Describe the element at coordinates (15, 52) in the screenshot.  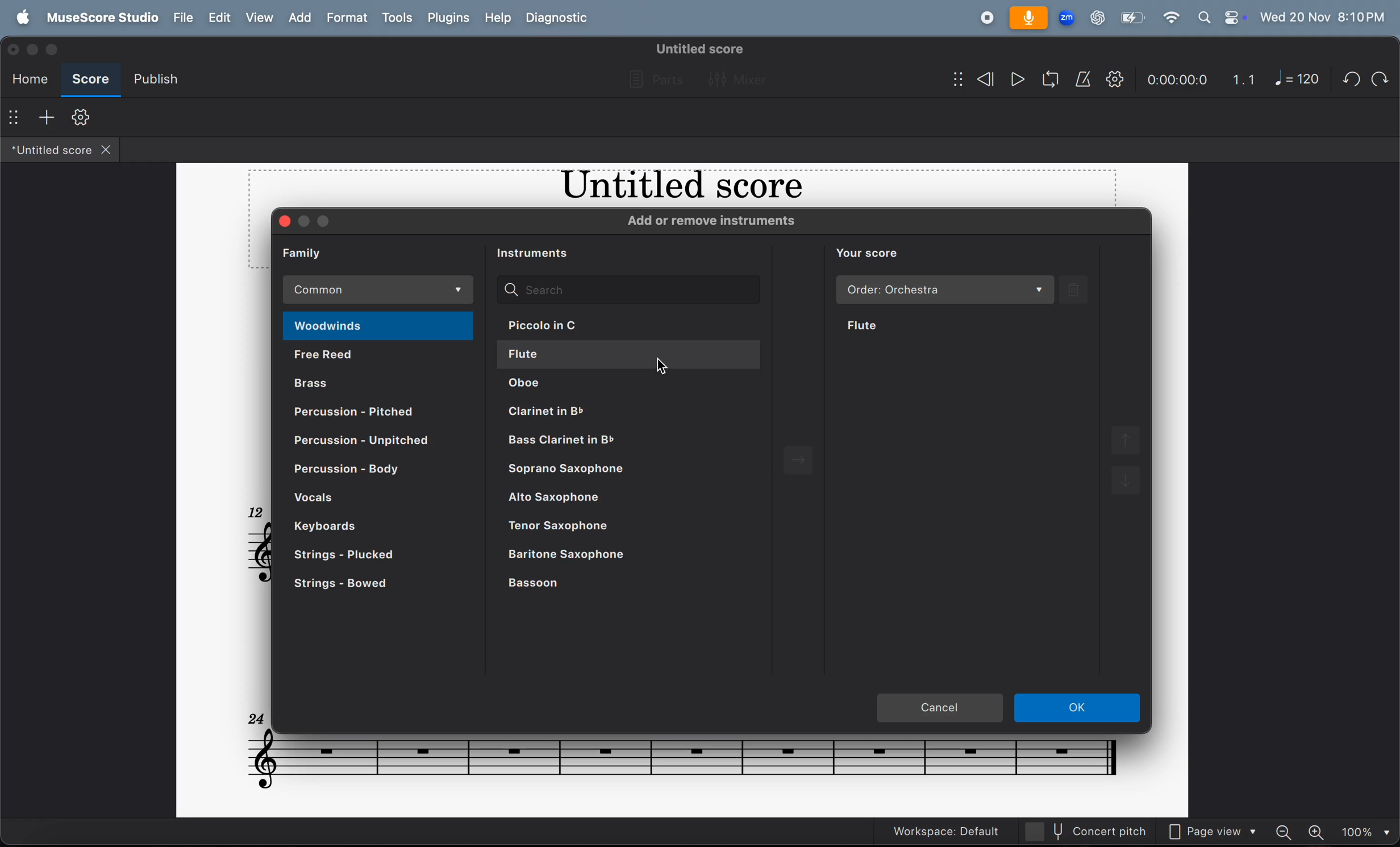
I see `close` at that location.